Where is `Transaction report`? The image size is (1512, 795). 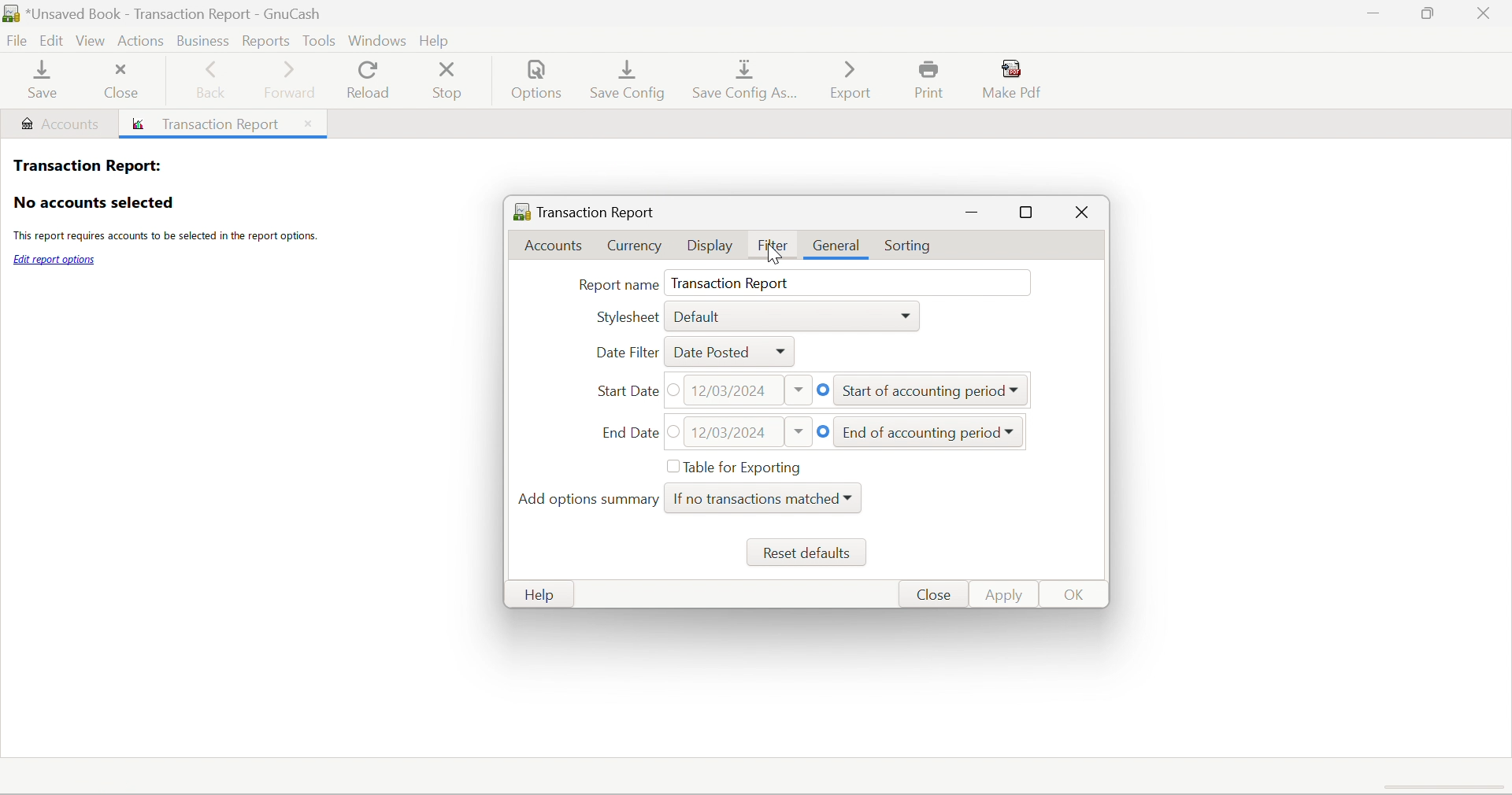
Transaction report is located at coordinates (210, 125).